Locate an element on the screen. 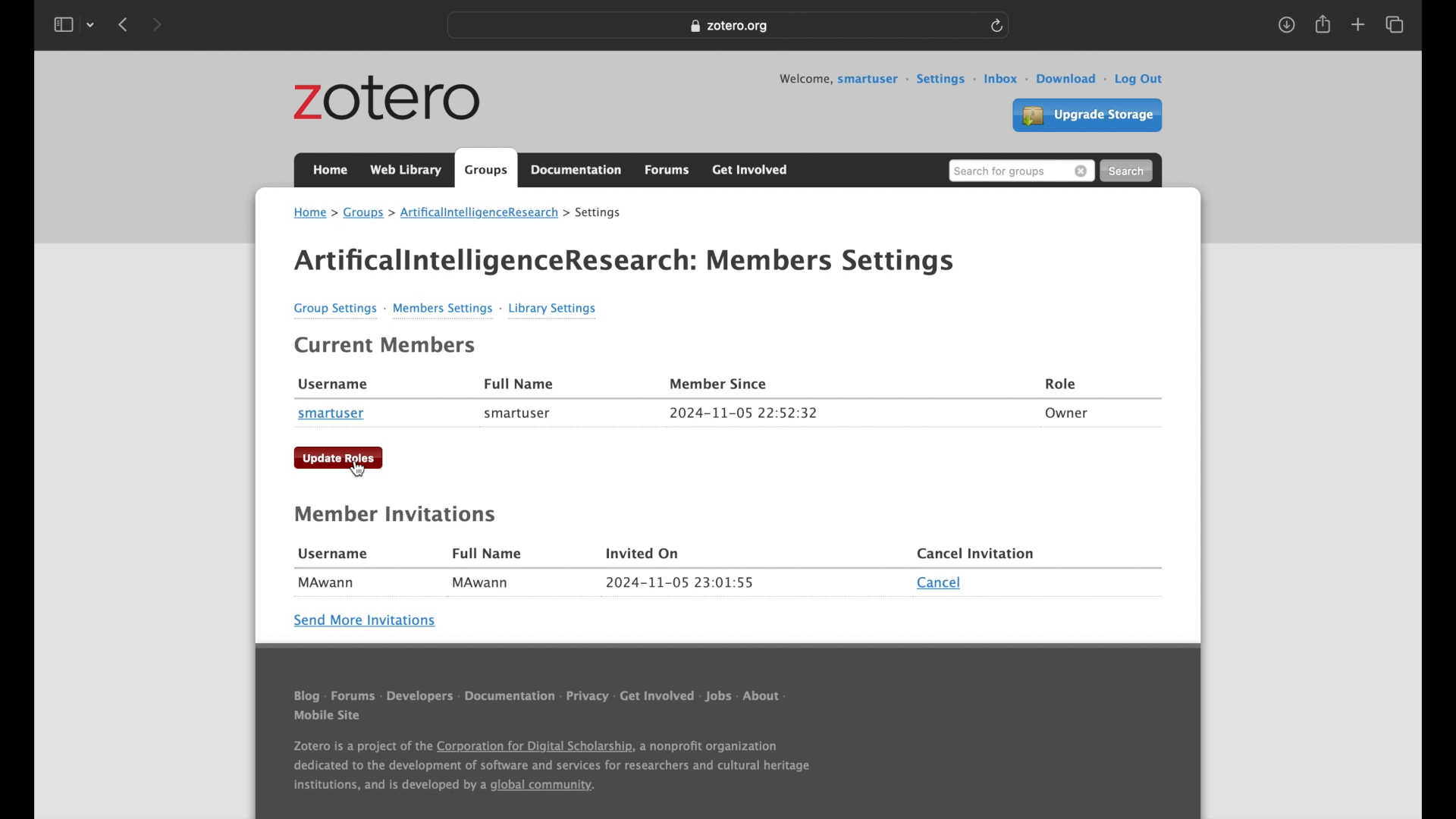  Username is located at coordinates (335, 384).